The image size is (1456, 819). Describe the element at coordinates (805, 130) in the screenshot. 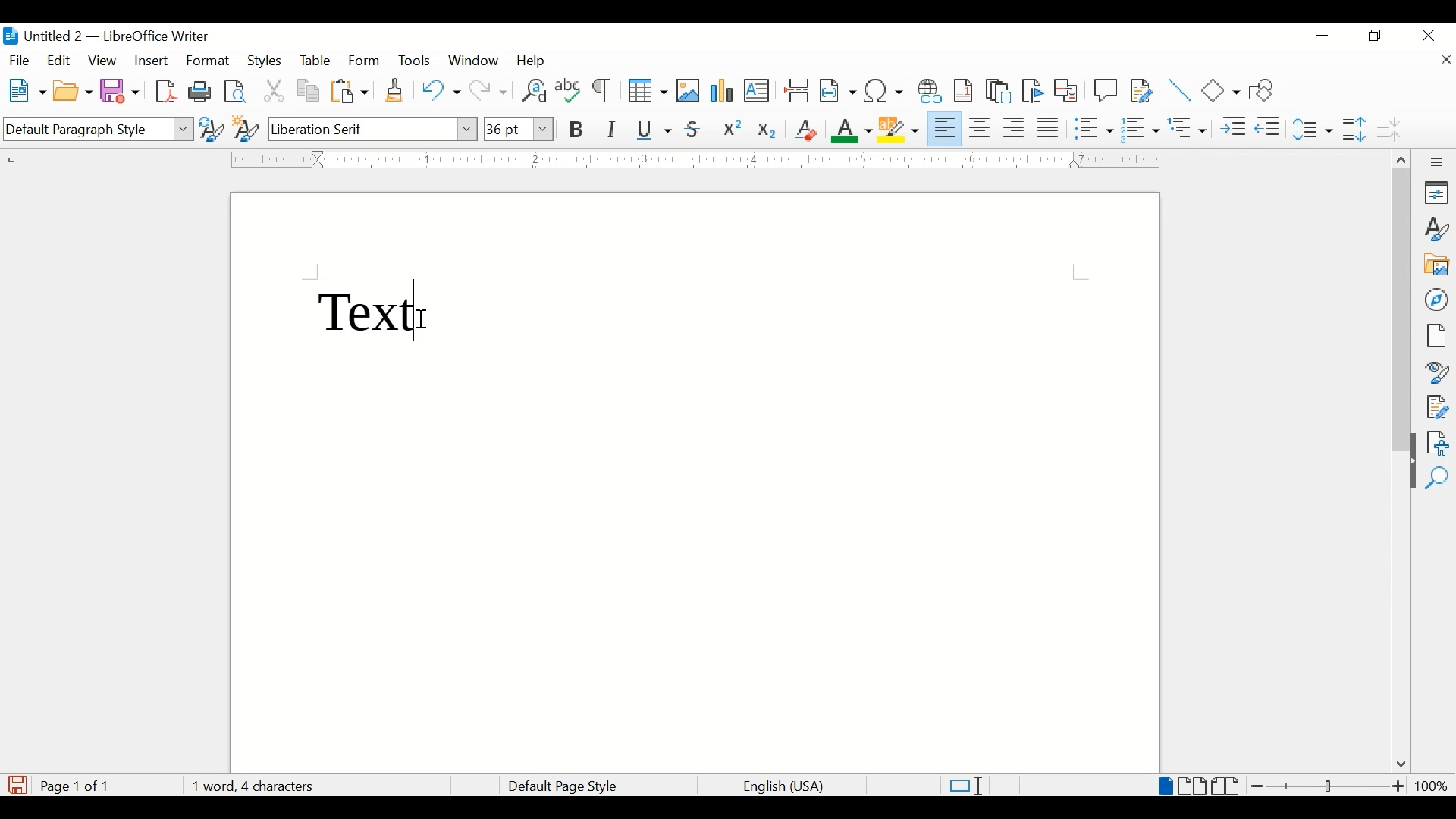

I see `clear direct formatting` at that location.